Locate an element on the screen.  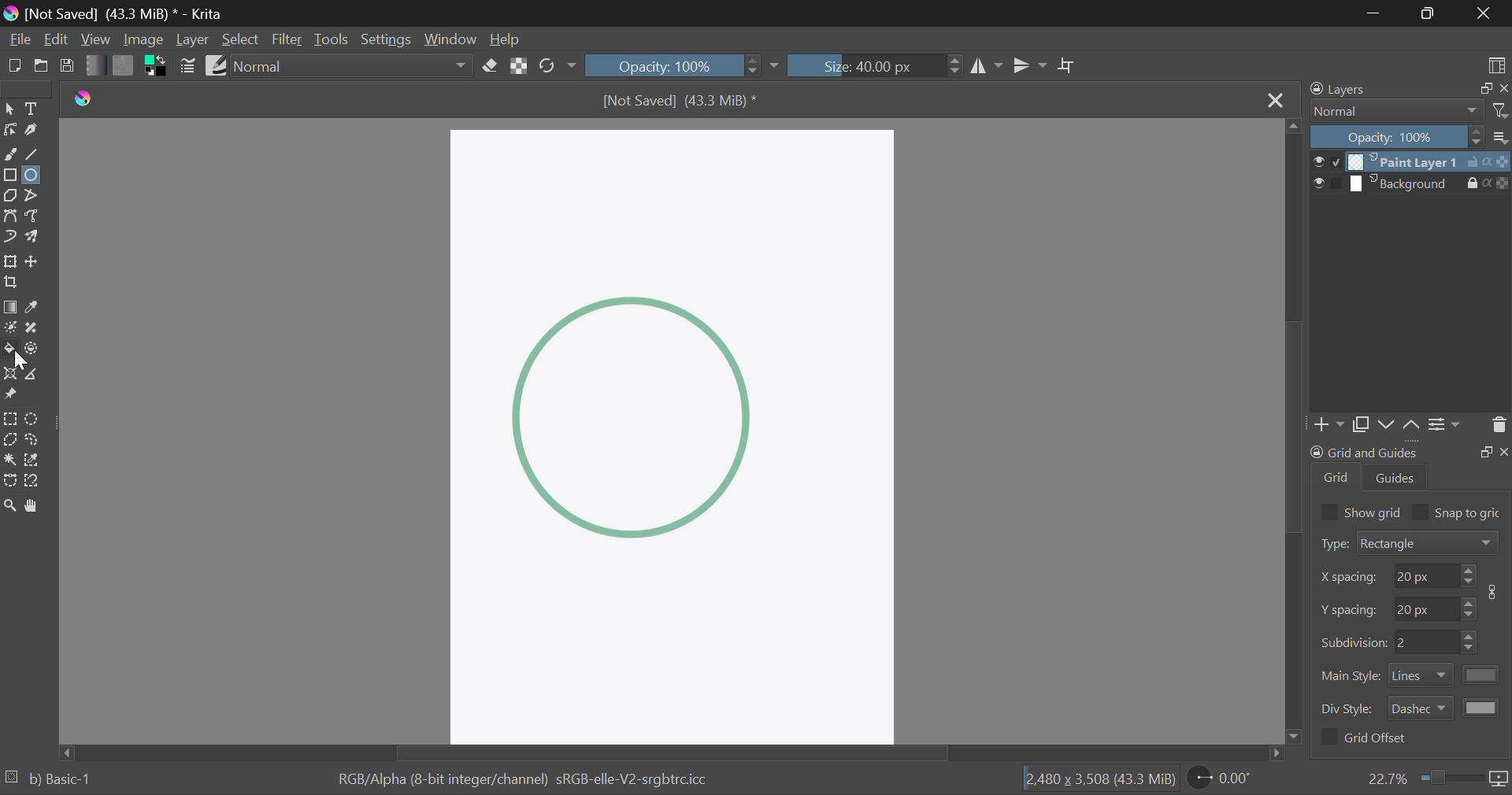
Window is located at coordinates (450, 41).